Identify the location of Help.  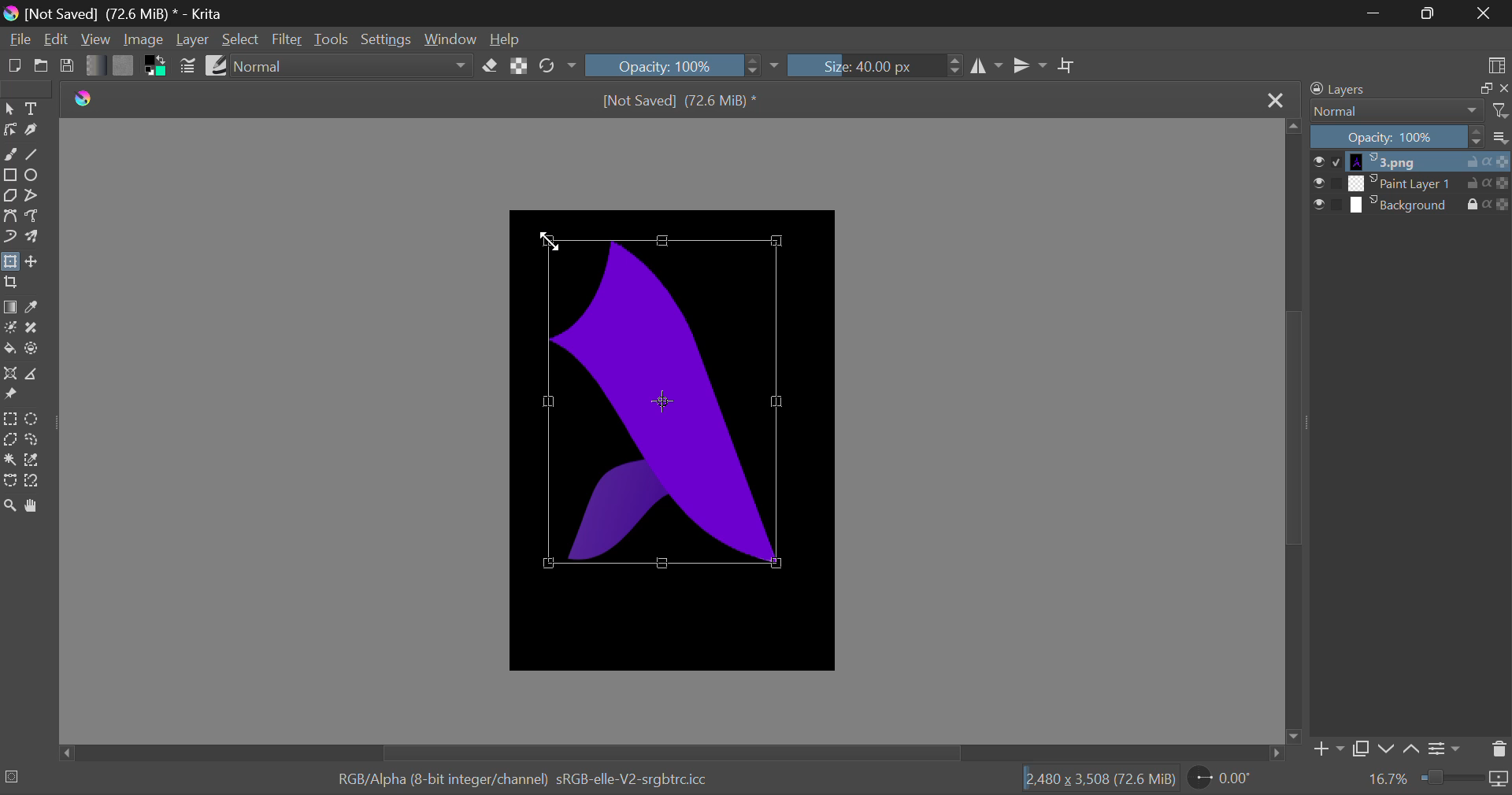
(504, 39).